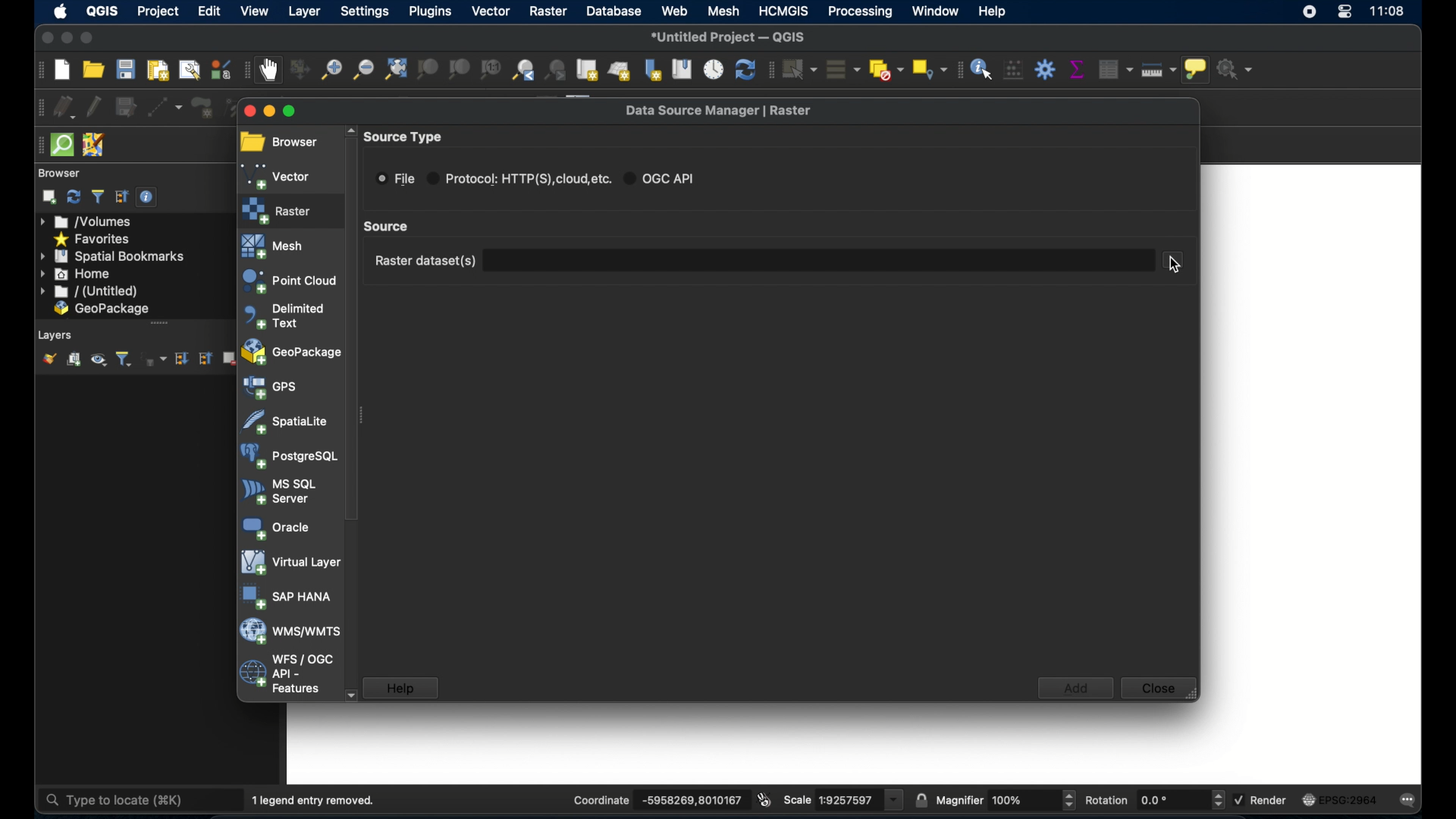 The width and height of the screenshot is (1456, 819). I want to click on untitled project - QGIS, so click(732, 36).